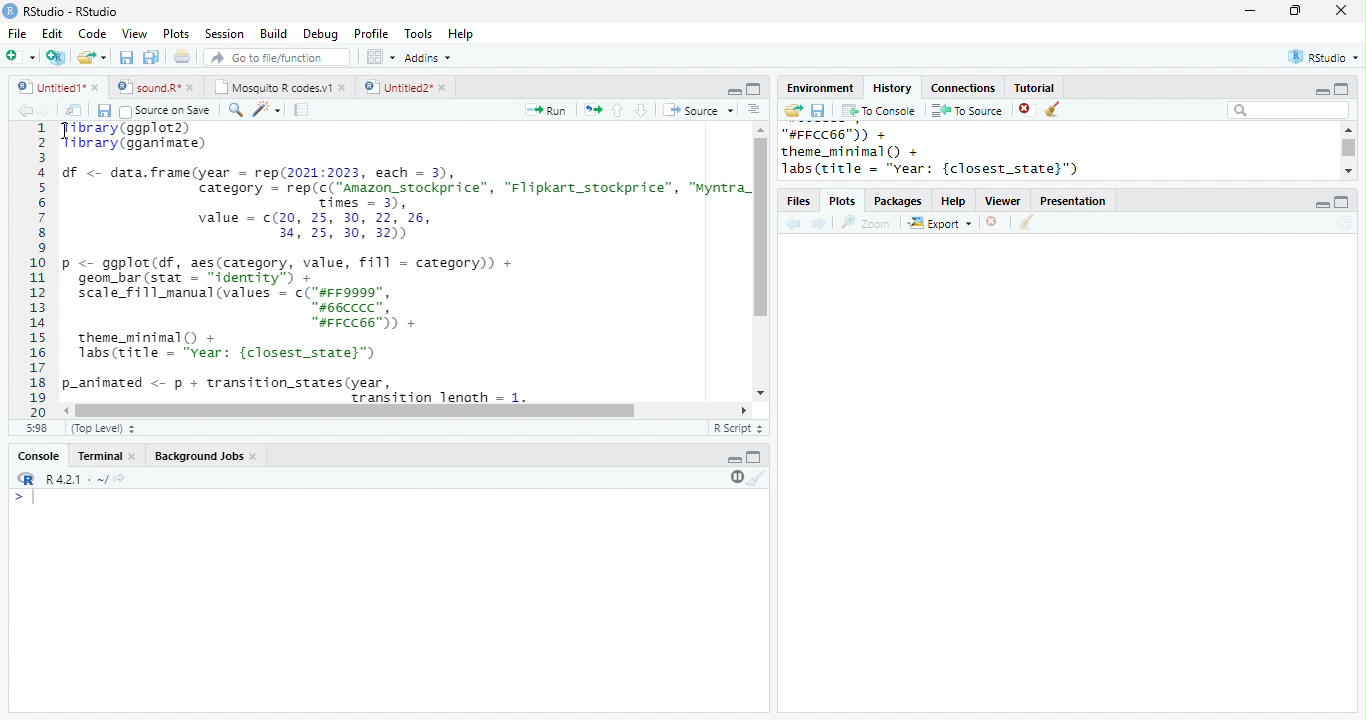 This screenshot has height=720, width=1366. Describe the element at coordinates (548, 110) in the screenshot. I see `Run` at that location.